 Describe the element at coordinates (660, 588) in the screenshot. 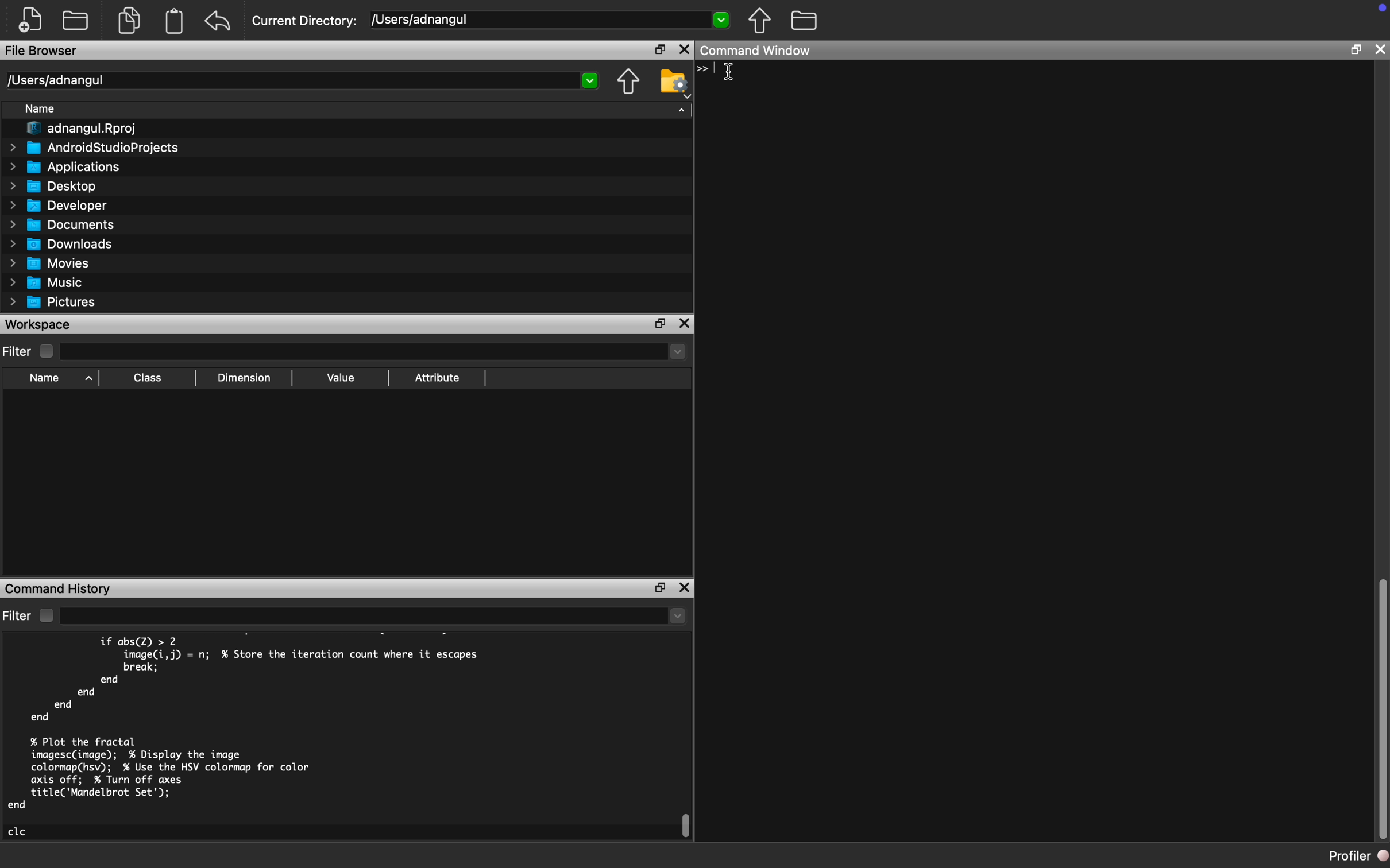

I see `Restore Down` at that location.